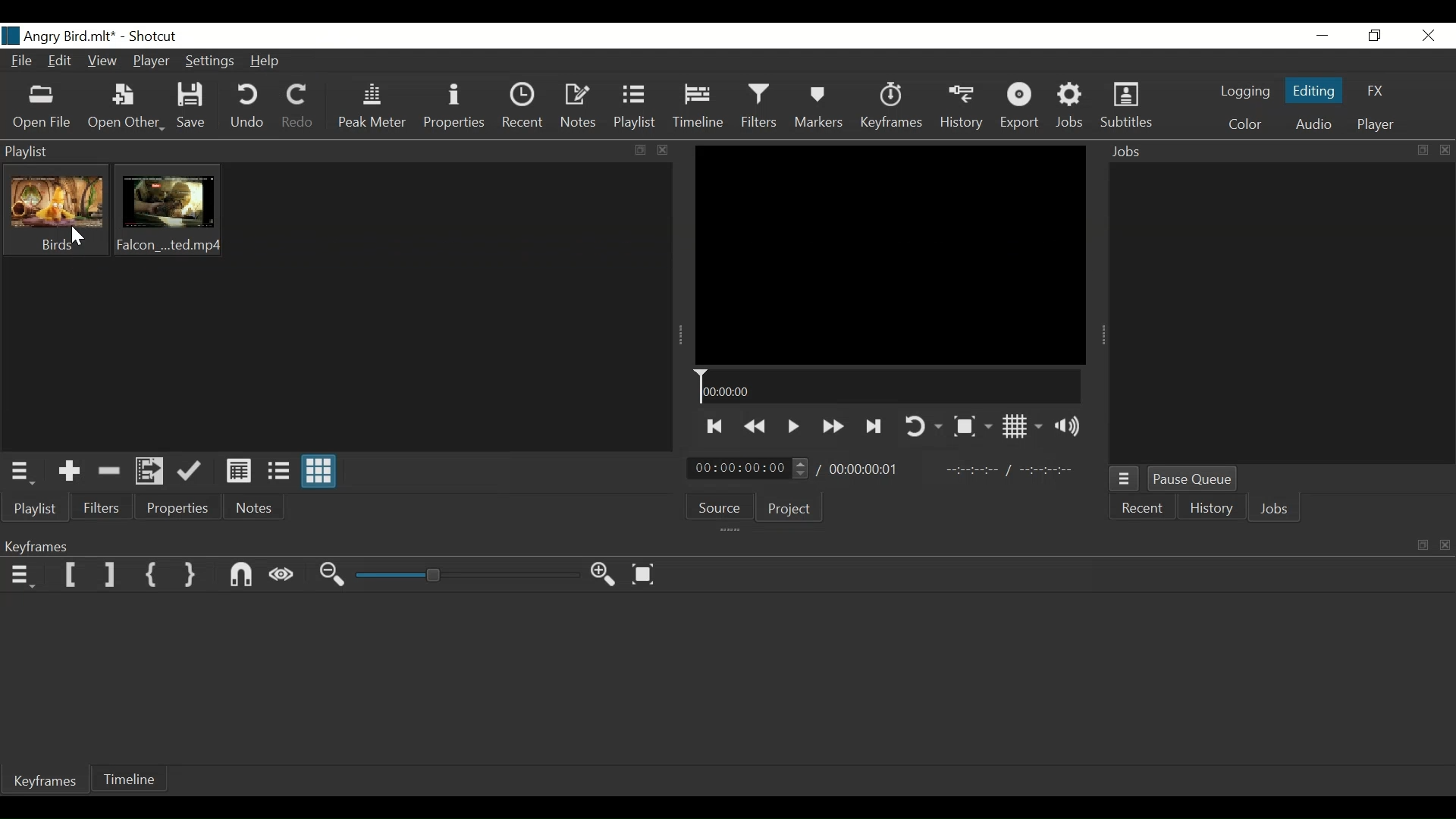  Describe the element at coordinates (715, 506) in the screenshot. I see `` at that location.